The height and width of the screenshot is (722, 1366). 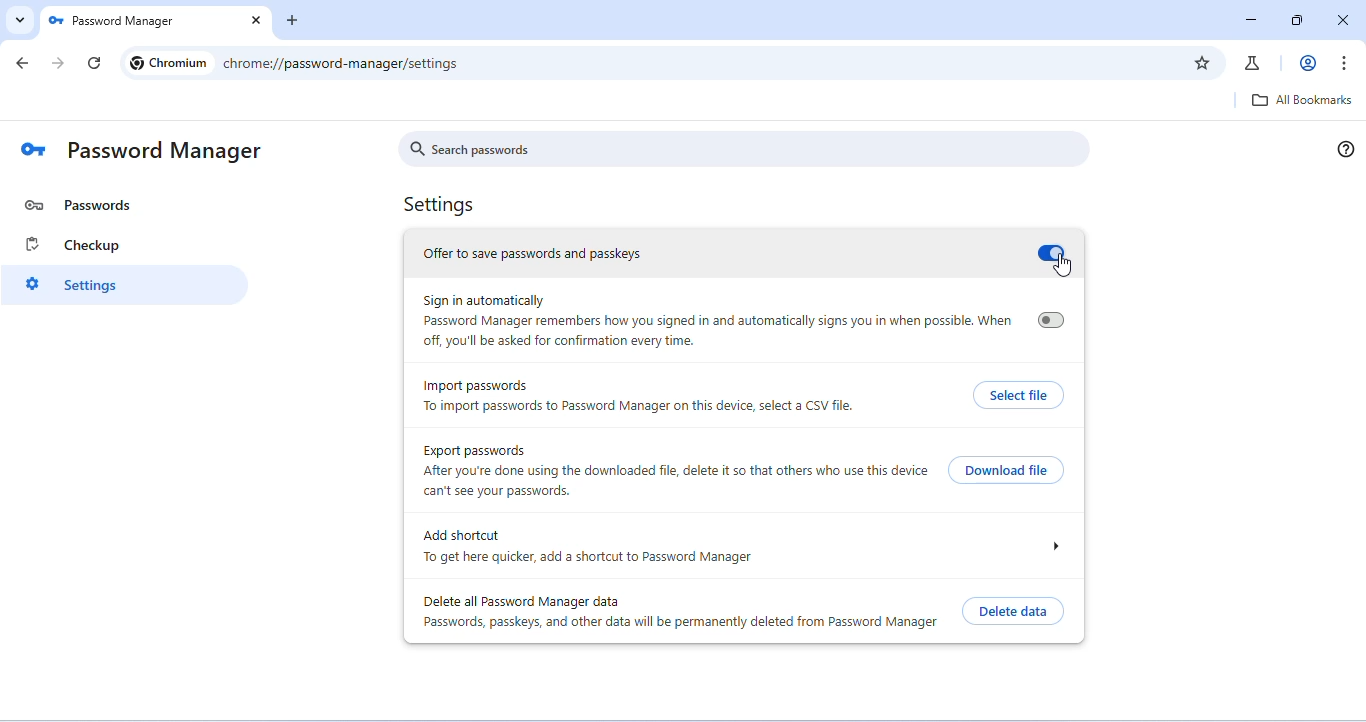 What do you see at coordinates (642, 407) in the screenshot?
I see `To import passwords to Password Manager on this device, select a CSV file.` at bounding box center [642, 407].